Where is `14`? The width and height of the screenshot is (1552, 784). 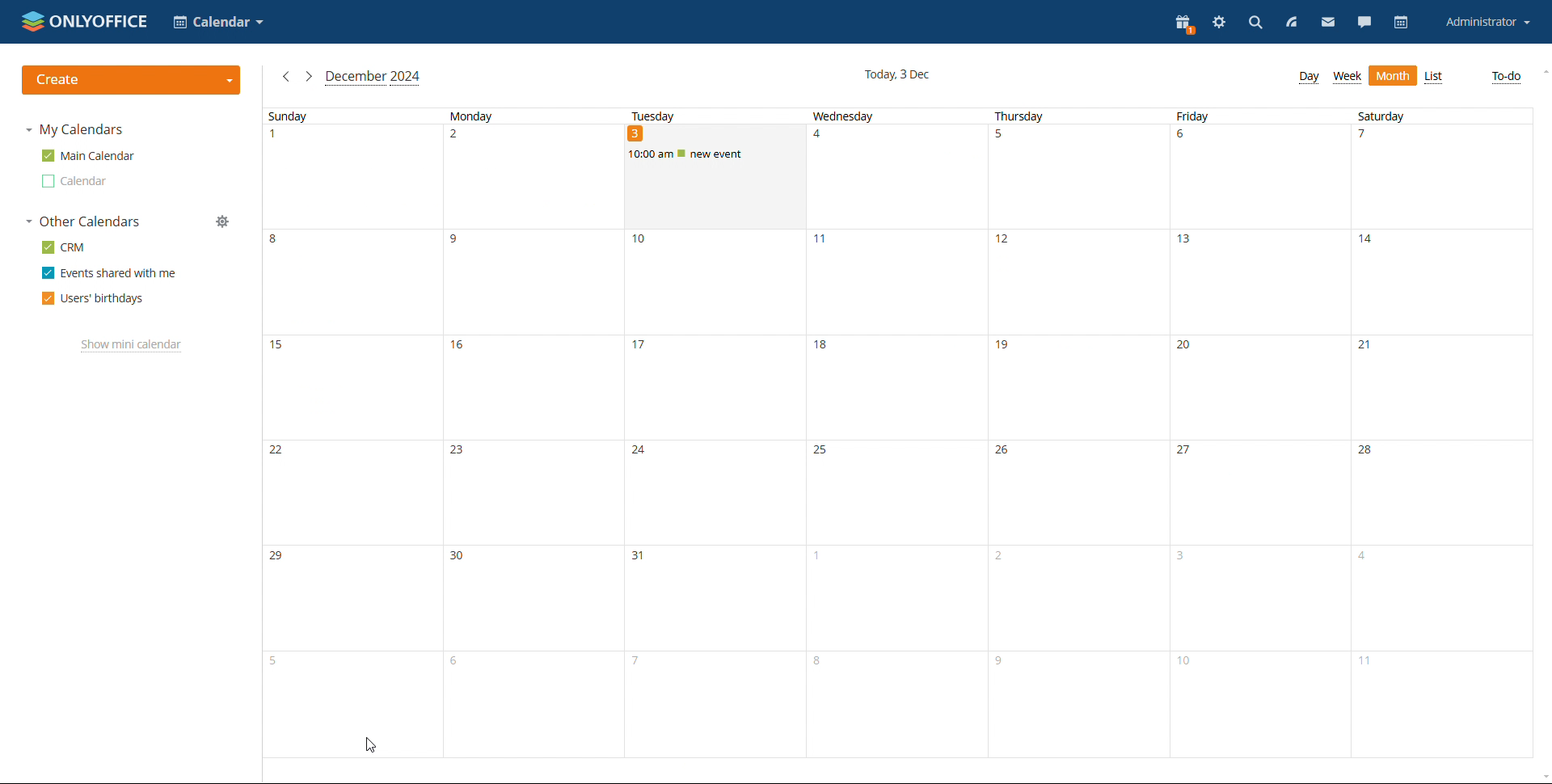
14 is located at coordinates (1444, 282).